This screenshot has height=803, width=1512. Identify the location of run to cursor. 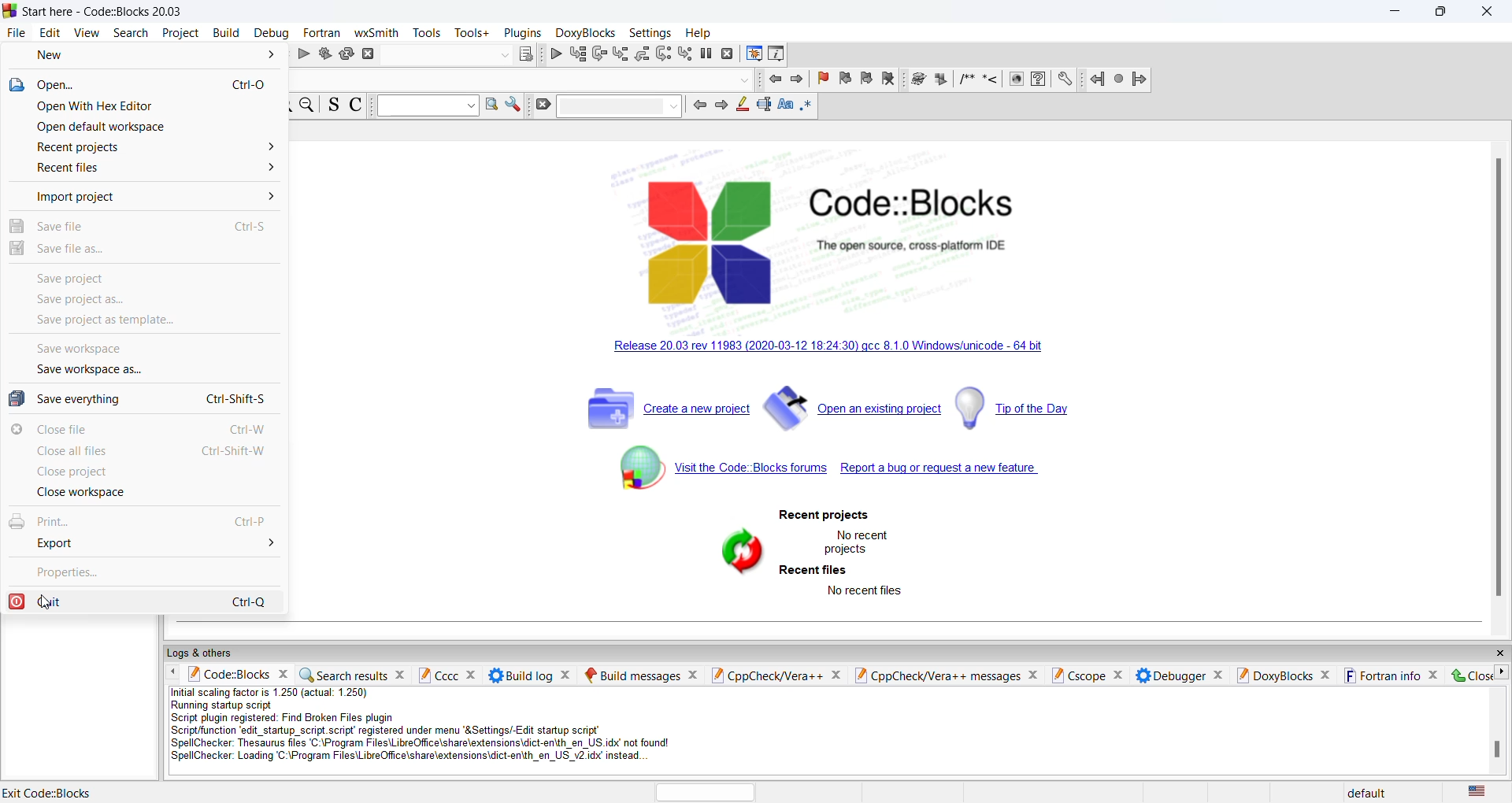
(577, 54).